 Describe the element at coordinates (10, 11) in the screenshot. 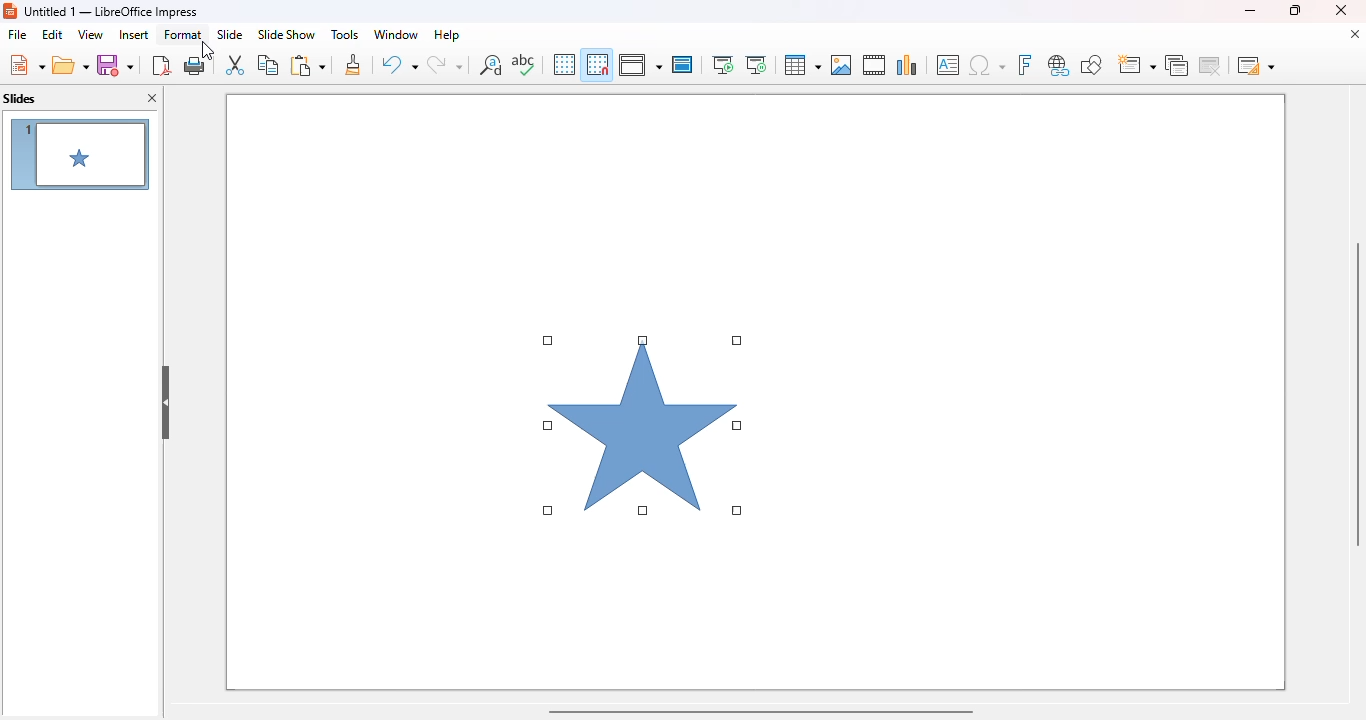

I see `logo` at that location.